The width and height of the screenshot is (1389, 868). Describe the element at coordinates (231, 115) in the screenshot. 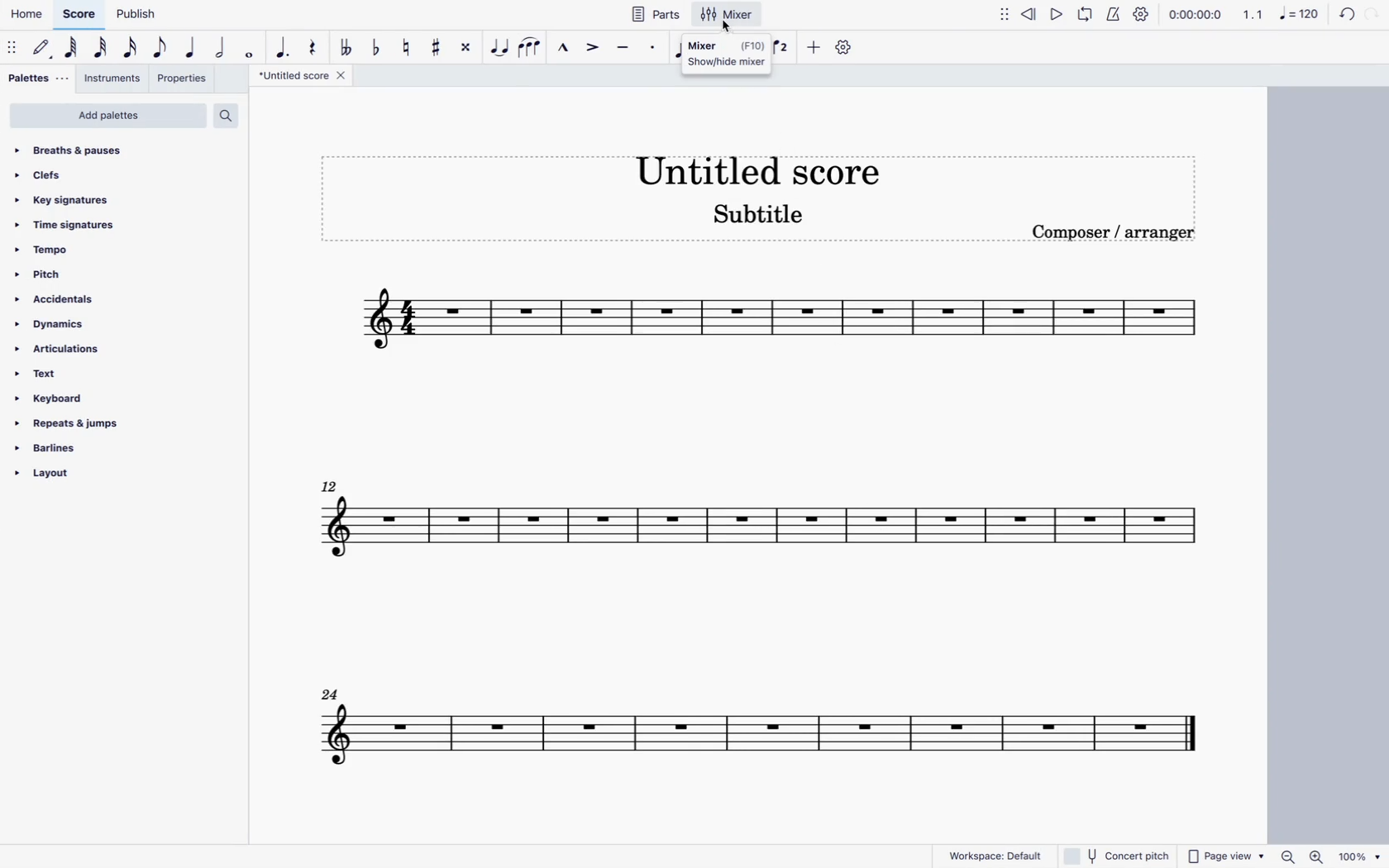

I see `search` at that location.